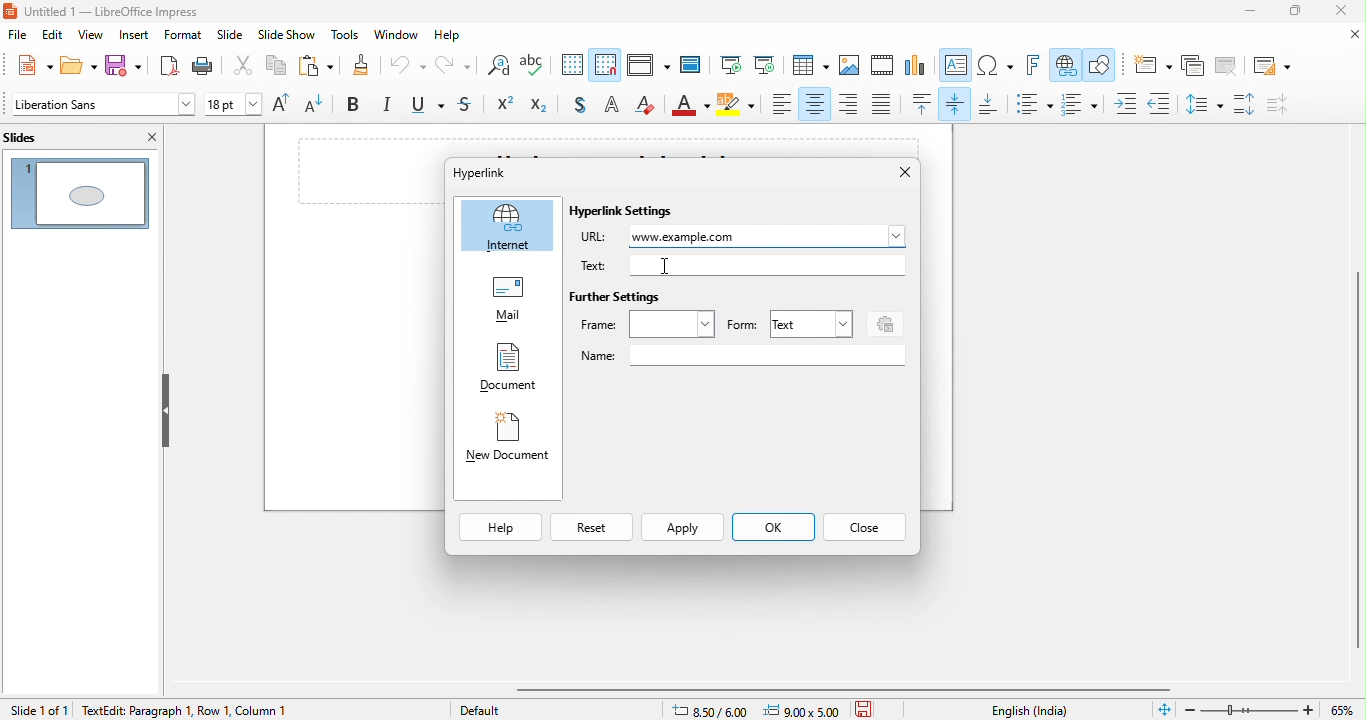 The height and width of the screenshot is (720, 1366). I want to click on delete slide, so click(1226, 66).